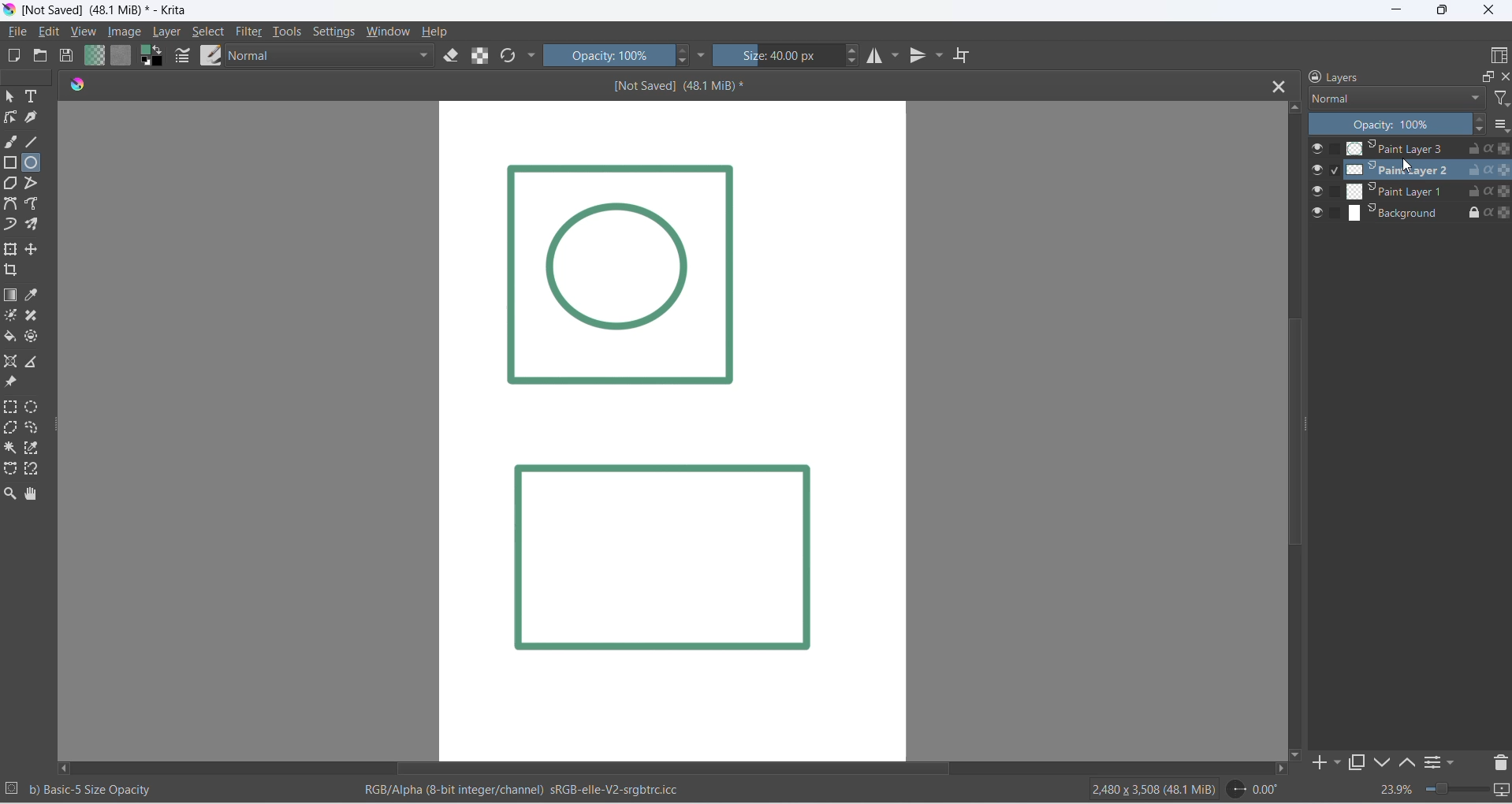 The height and width of the screenshot is (804, 1512). What do you see at coordinates (210, 56) in the screenshot?
I see `brush preset` at bounding box center [210, 56].